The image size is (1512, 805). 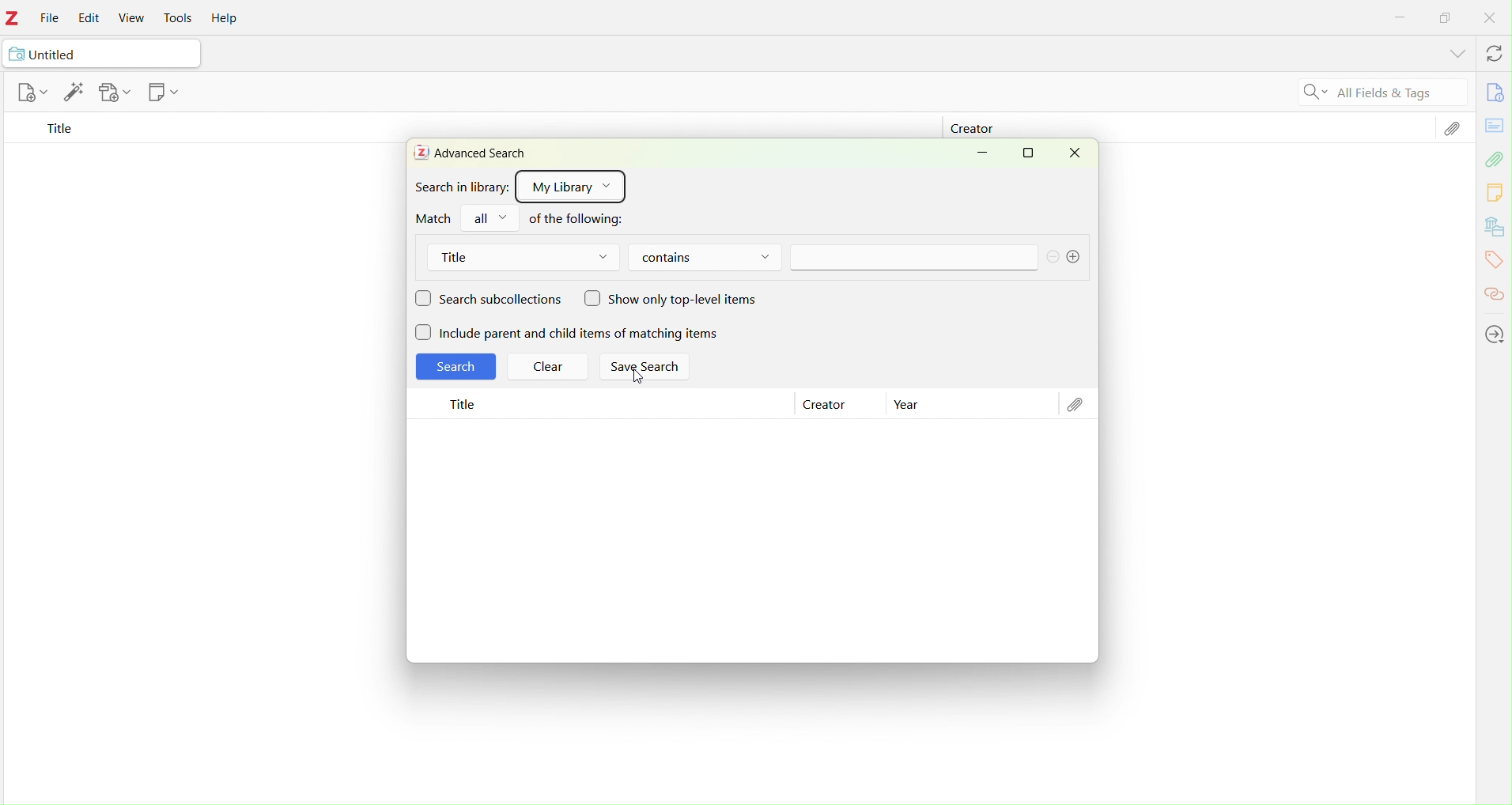 What do you see at coordinates (1490, 55) in the screenshot?
I see `Refresh` at bounding box center [1490, 55].